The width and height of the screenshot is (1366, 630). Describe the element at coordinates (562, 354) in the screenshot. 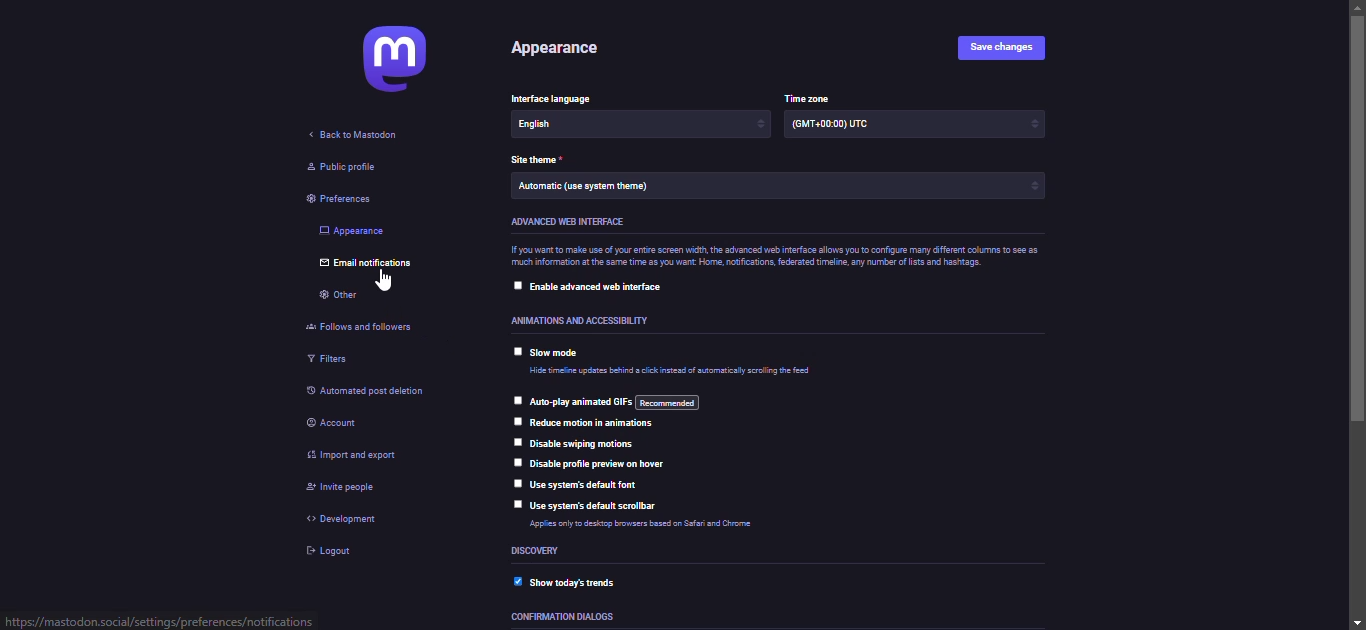

I see `slow mode` at that location.